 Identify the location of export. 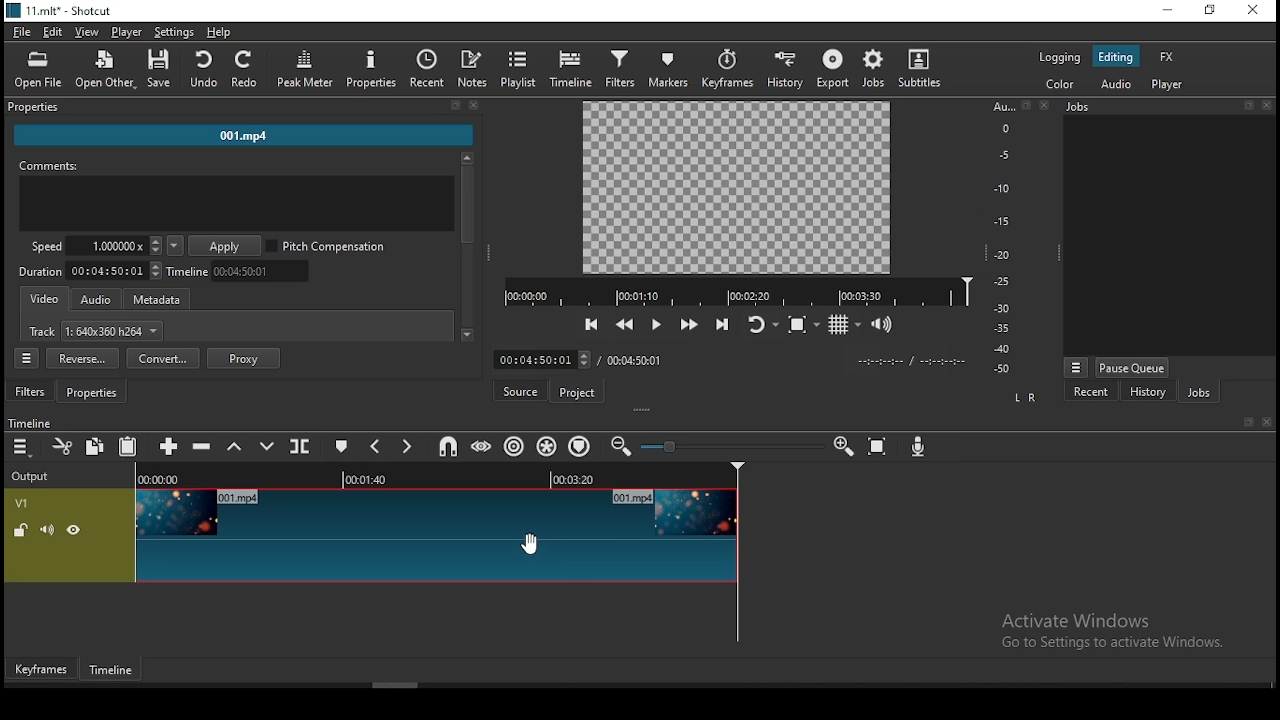
(831, 68).